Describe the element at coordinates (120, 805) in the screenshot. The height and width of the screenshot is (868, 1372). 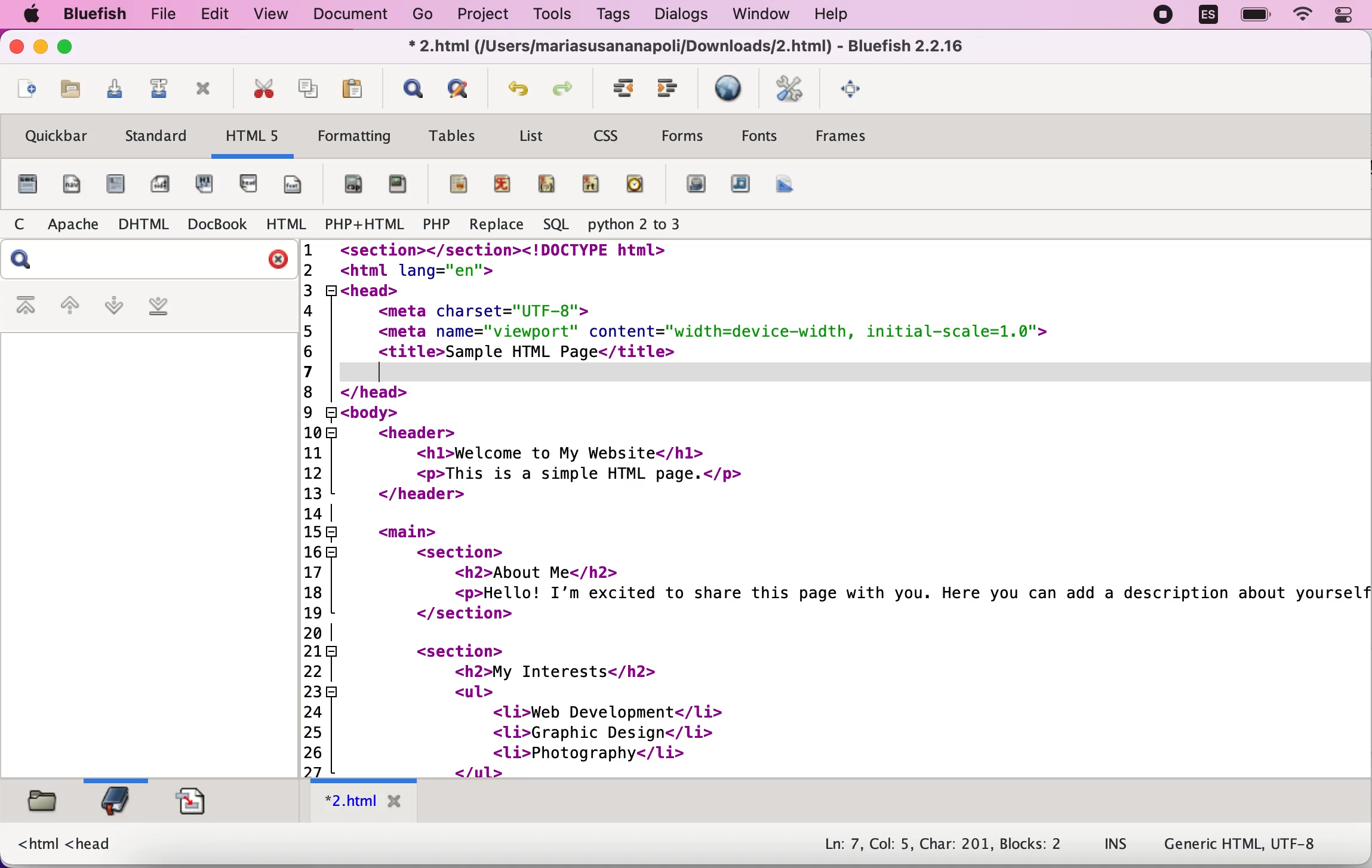
I see `bookmarks` at that location.